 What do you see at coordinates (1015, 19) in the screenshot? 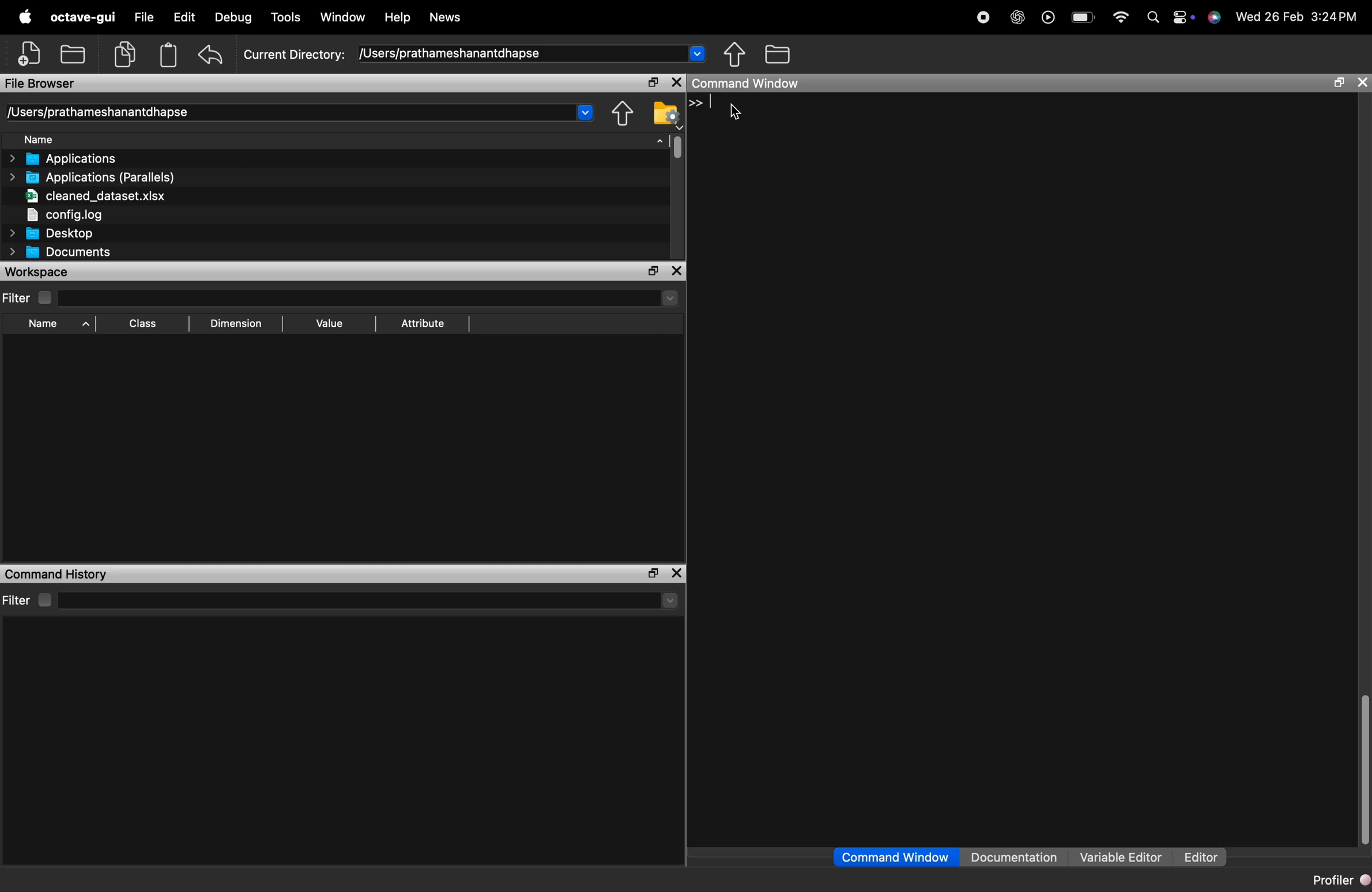
I see `chat GPT` at bounding box center [1015, 19].